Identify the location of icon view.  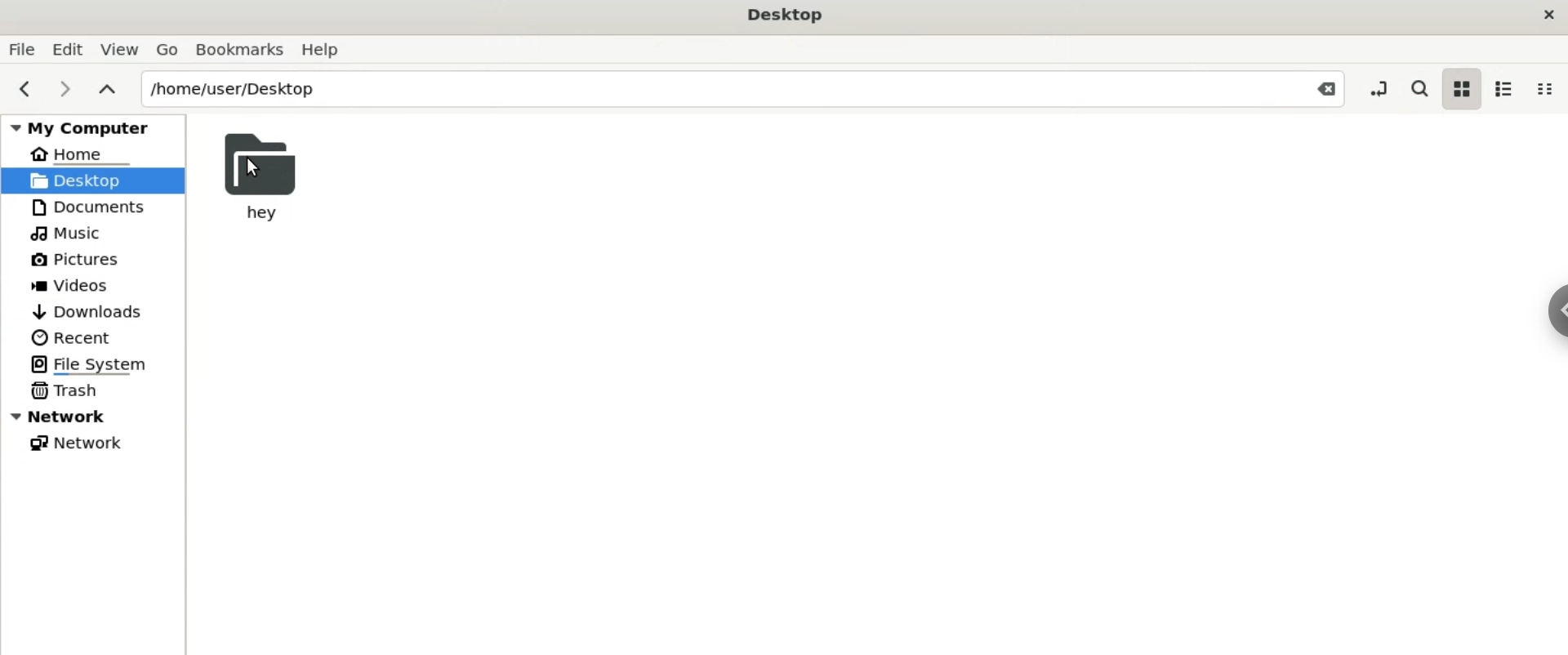
(1460, 90).